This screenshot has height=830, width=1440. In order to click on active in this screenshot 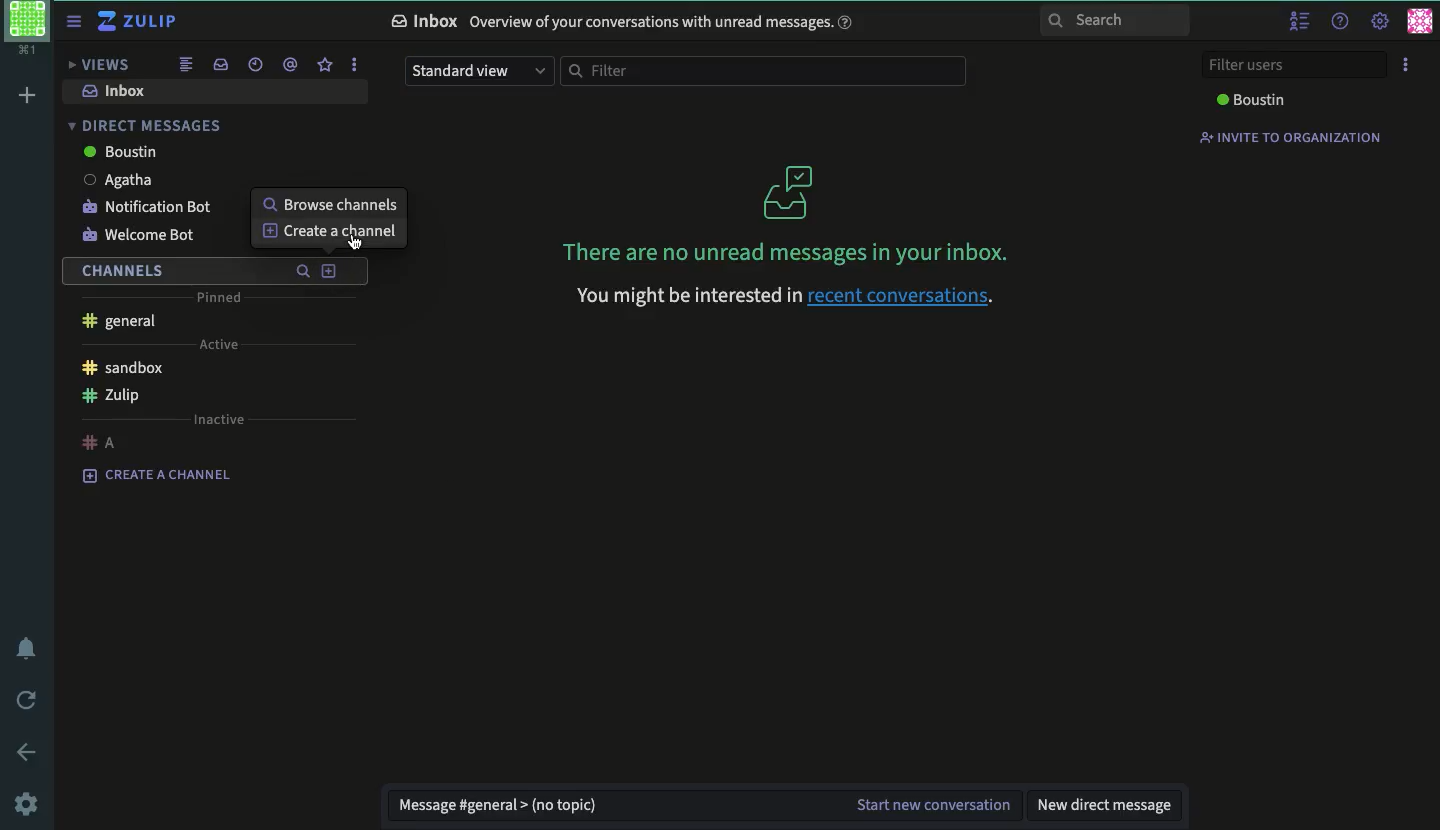, I will do `click(214, 343)`.